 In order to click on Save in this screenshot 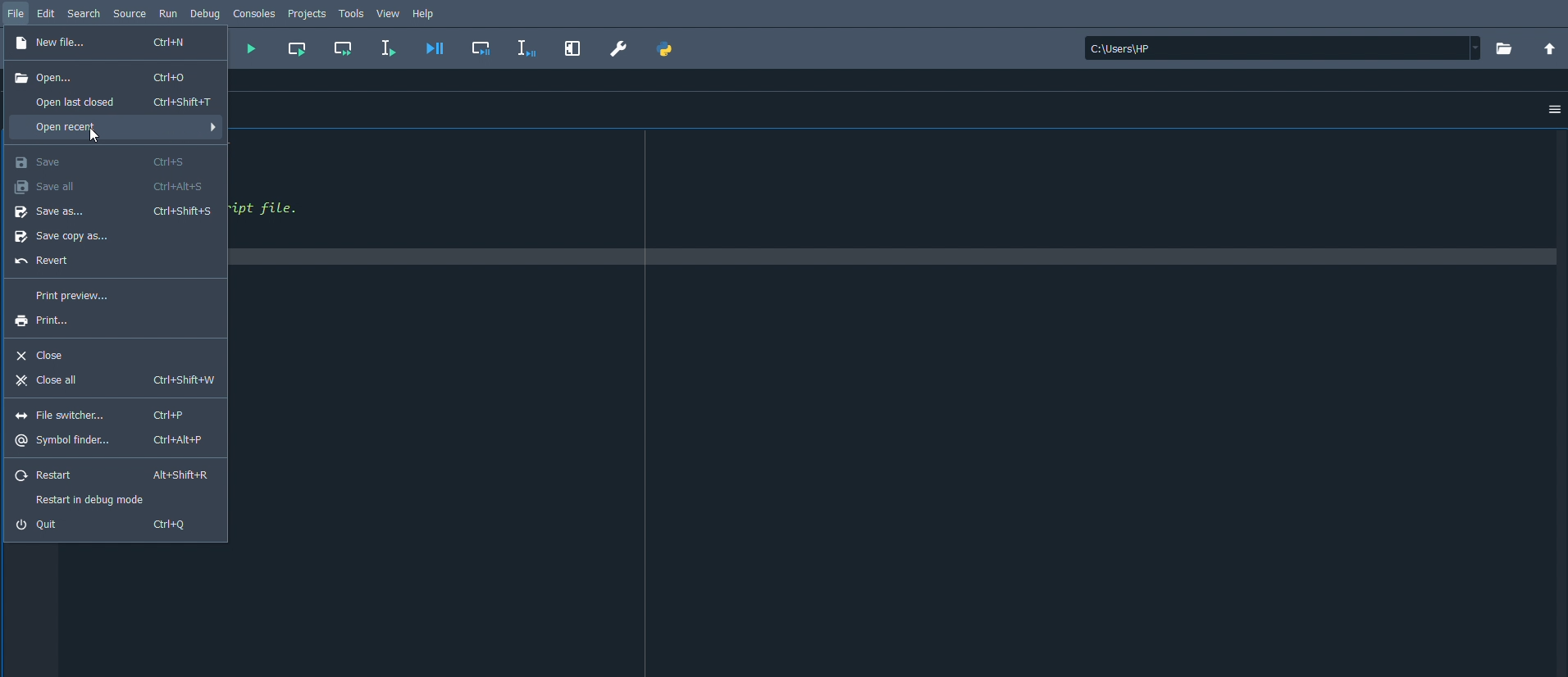, I will do `click(101, 161)`.